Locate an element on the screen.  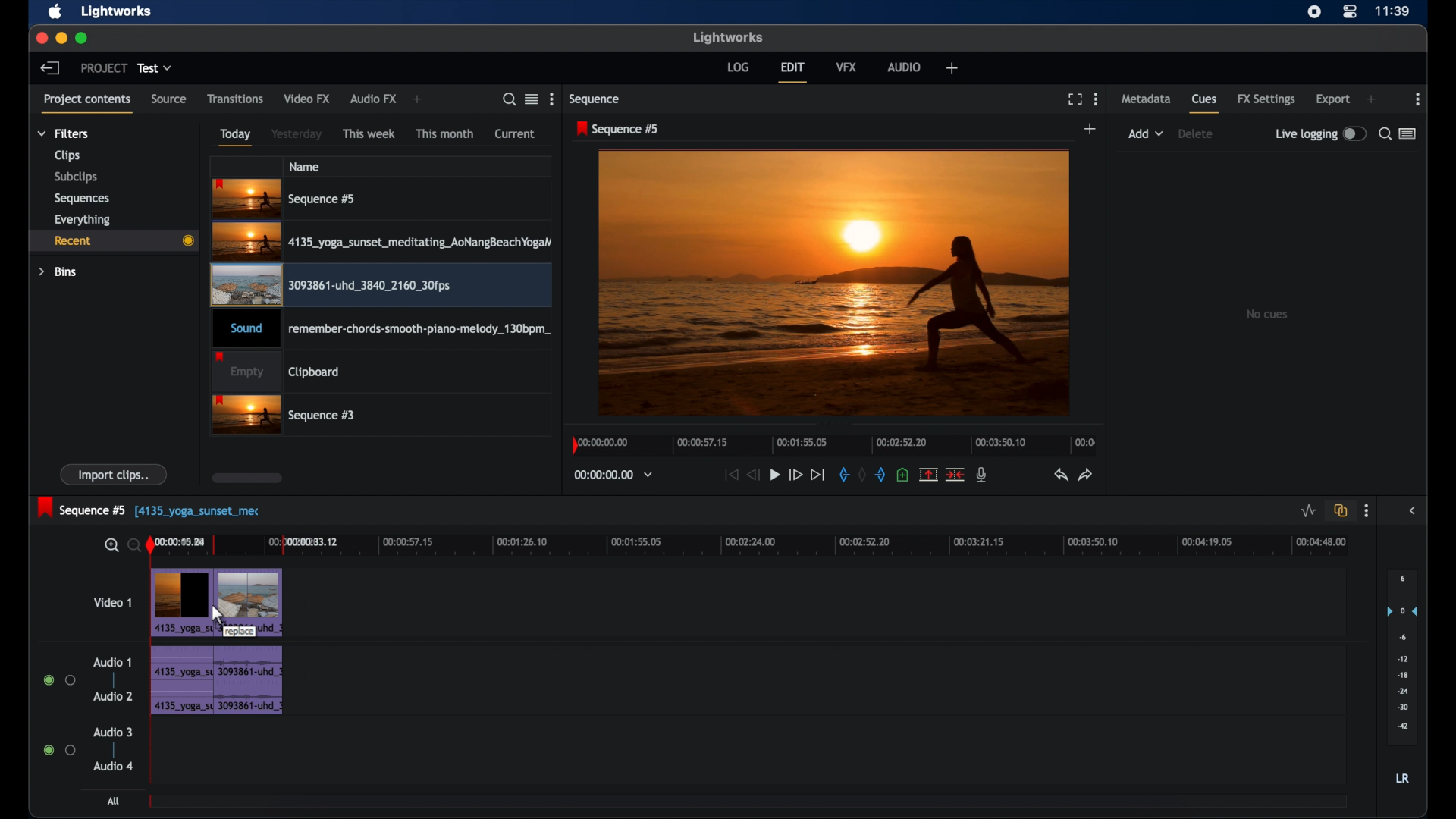
video 1 is located at coordinates (115, 602).